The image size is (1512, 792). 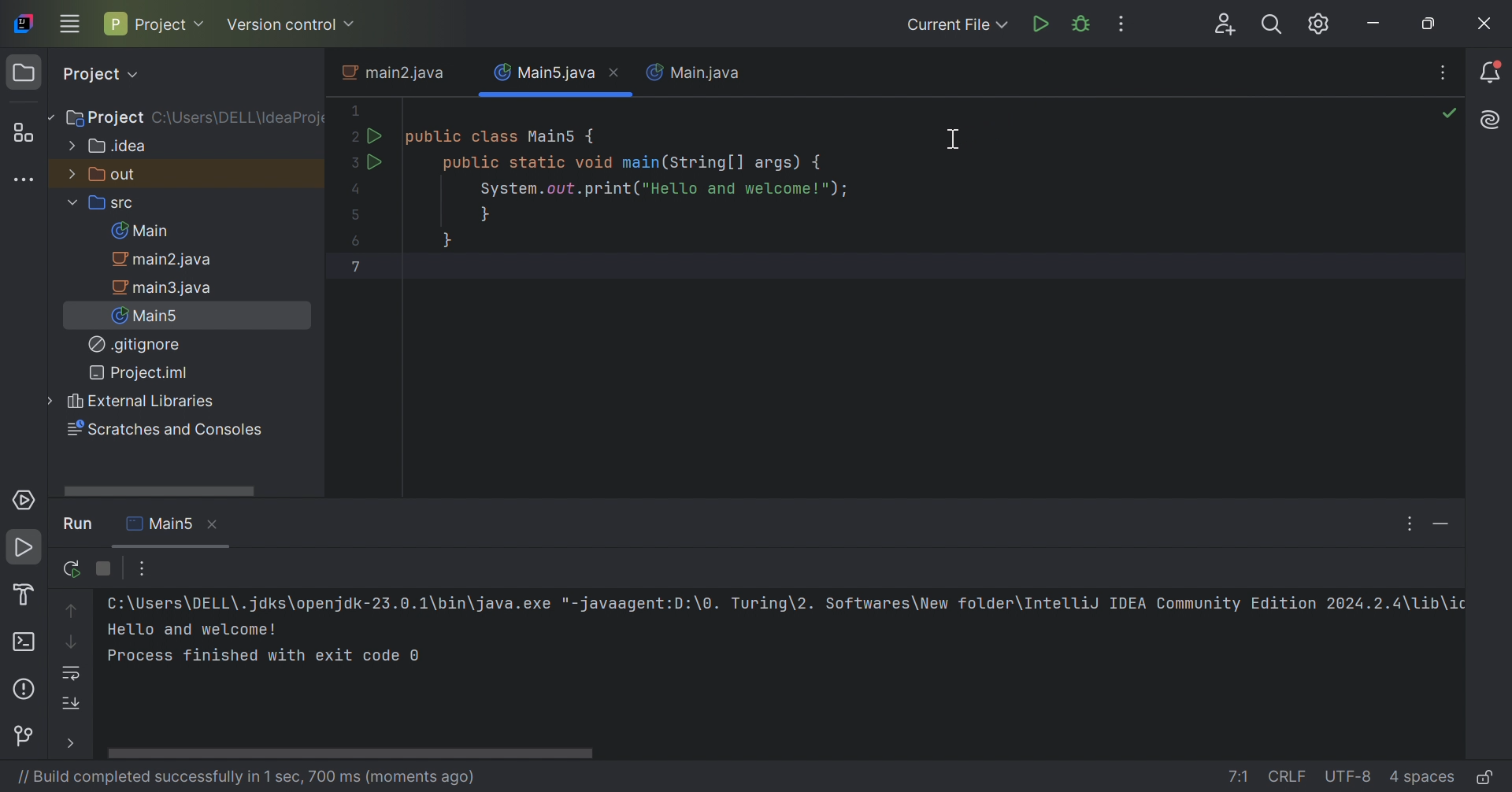 I want to click on Restore Down, so click(x=1426, y=25).